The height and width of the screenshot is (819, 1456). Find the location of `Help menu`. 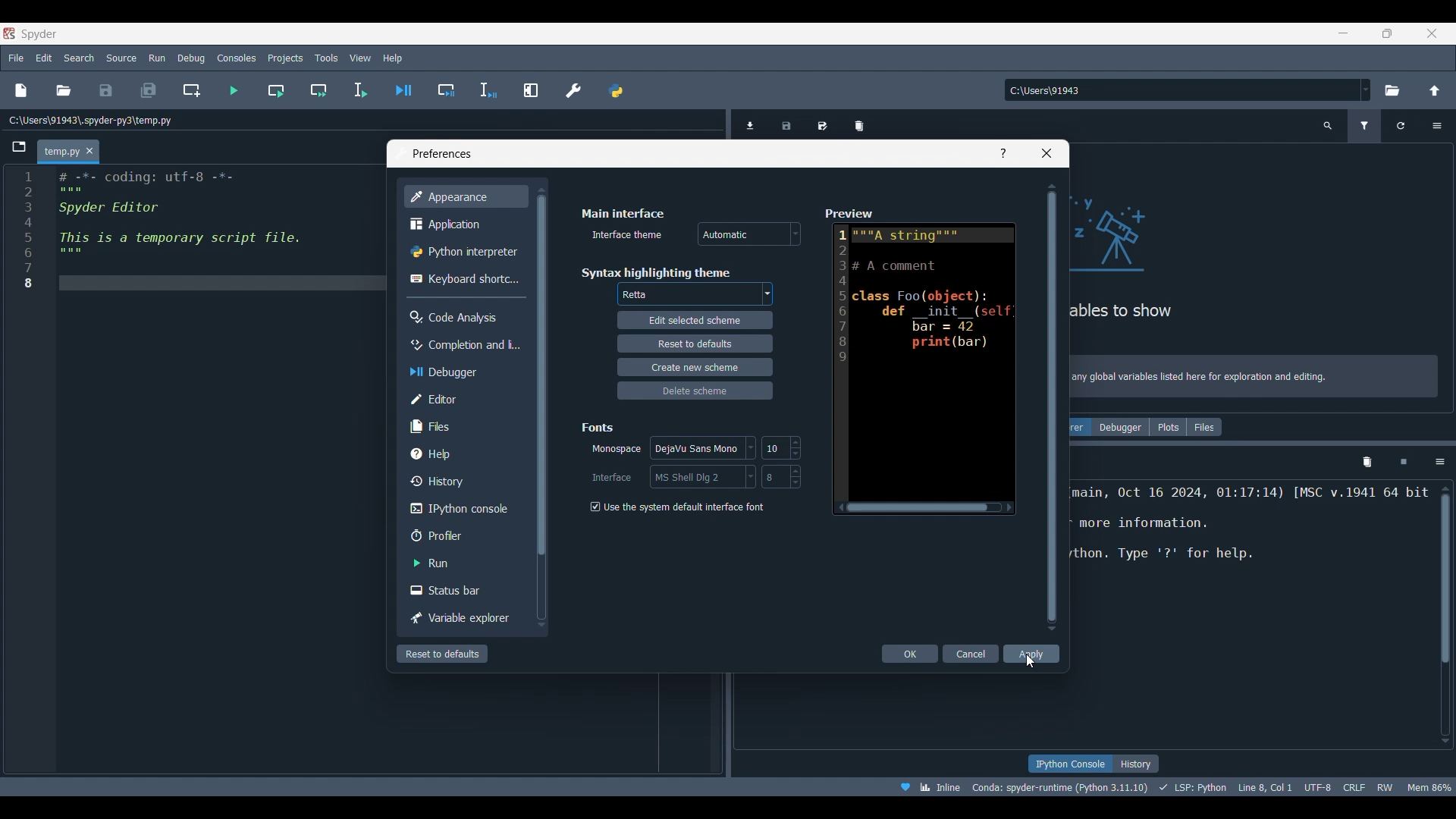

Help menu is located at coordinates (392, 58).